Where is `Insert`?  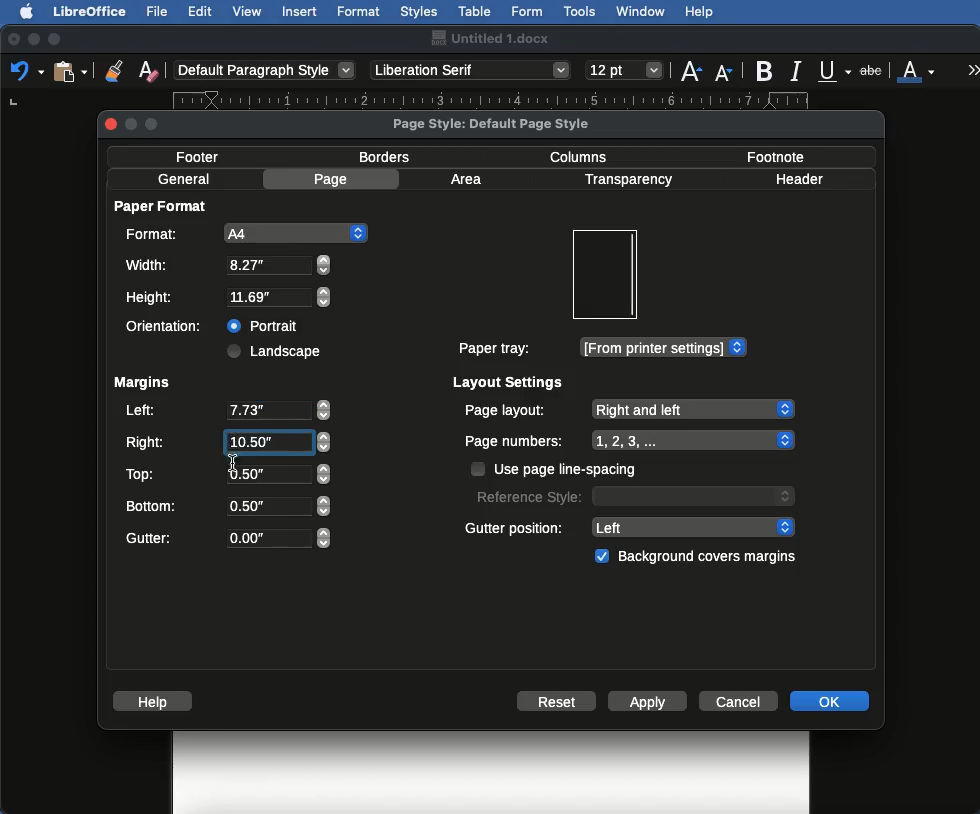 Insert is located at coordinates (300, 11).